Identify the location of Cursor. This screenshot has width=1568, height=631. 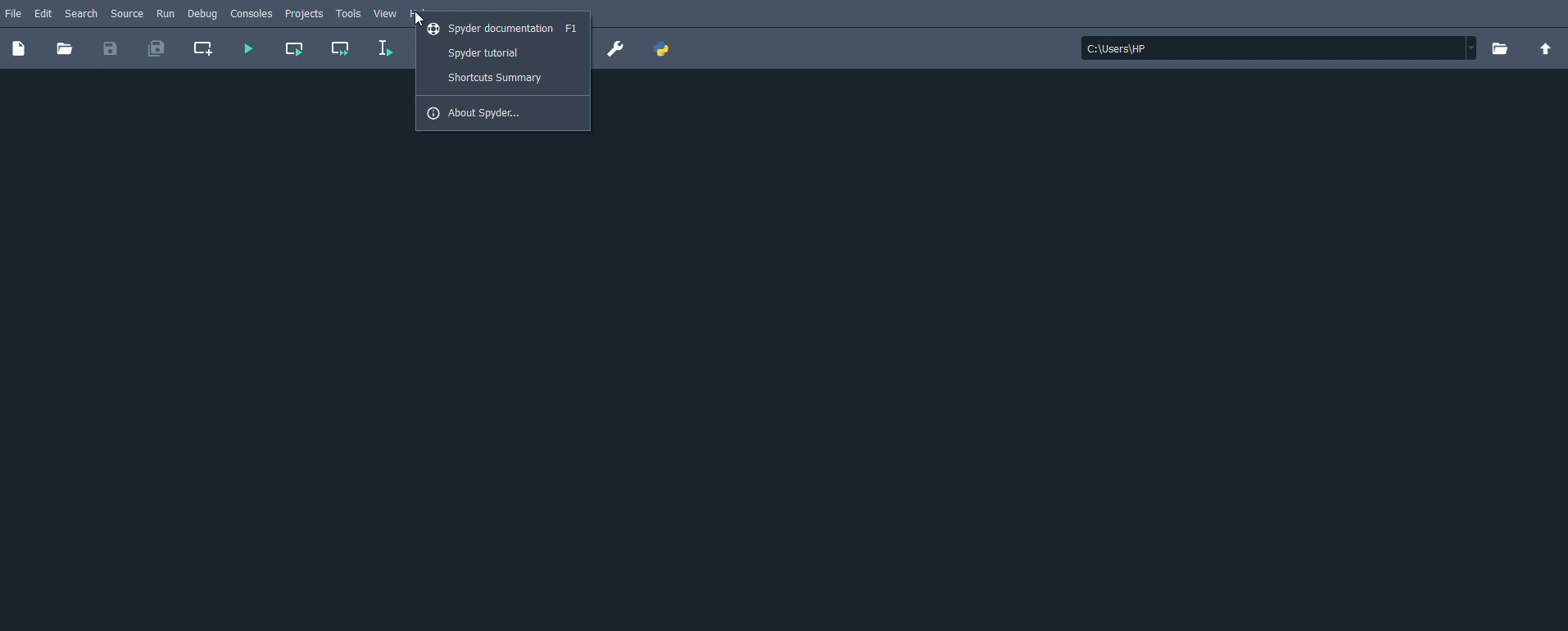
(420, 17).